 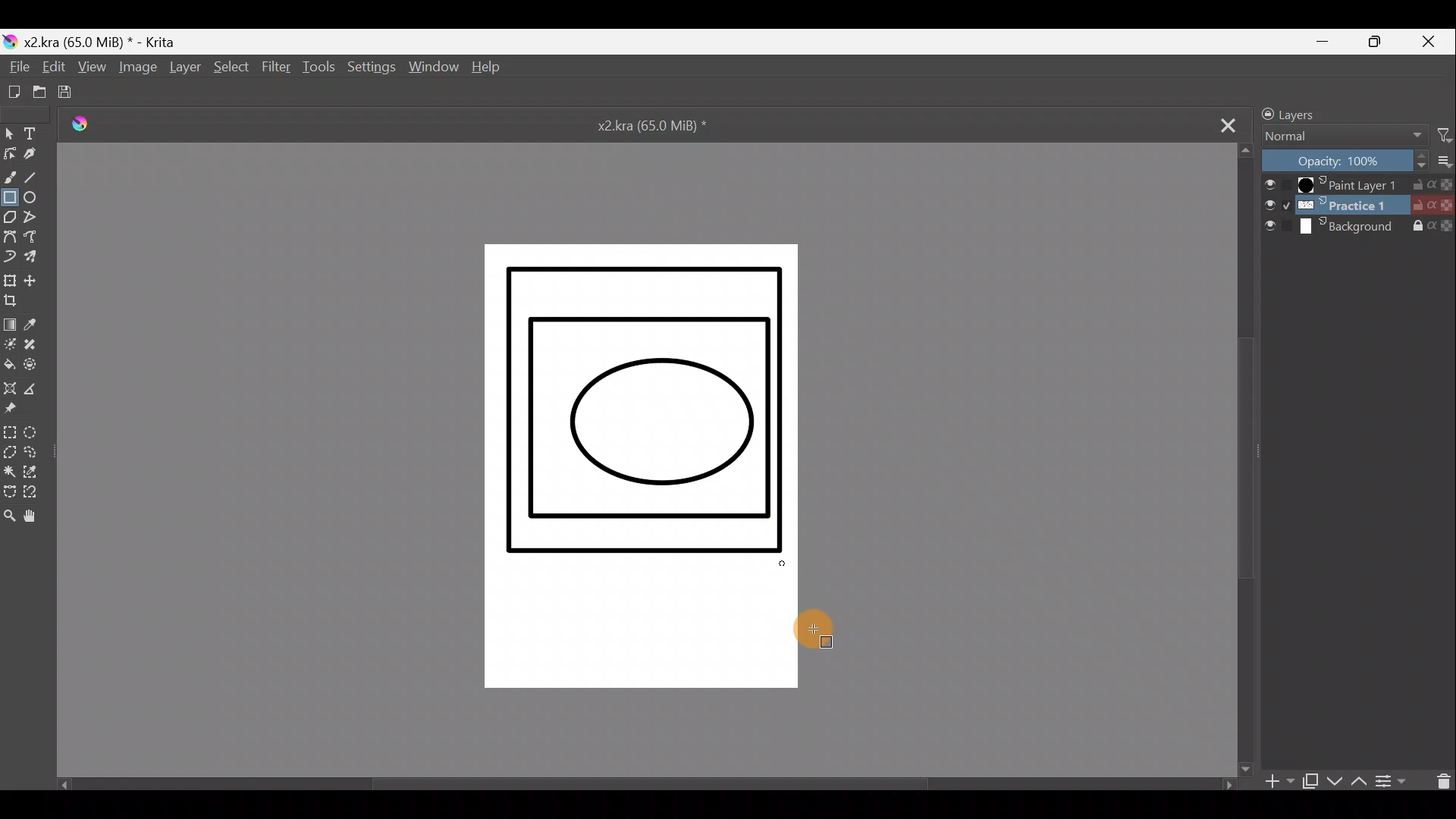 What do you see at coordinates (431, 71) in the screenshot?
I see `Window` at bounding box center [431, 71].